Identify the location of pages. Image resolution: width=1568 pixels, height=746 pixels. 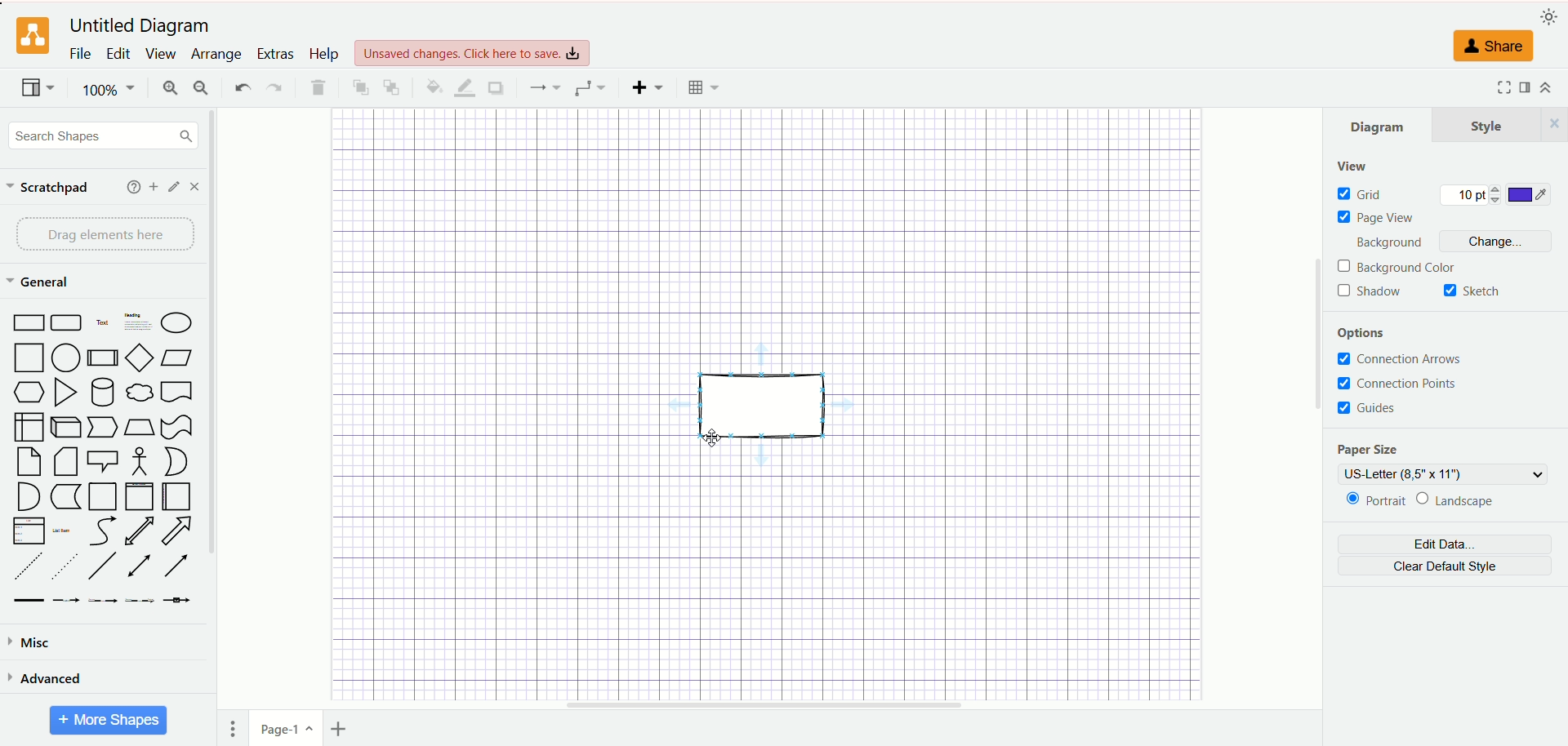
(236, 730).